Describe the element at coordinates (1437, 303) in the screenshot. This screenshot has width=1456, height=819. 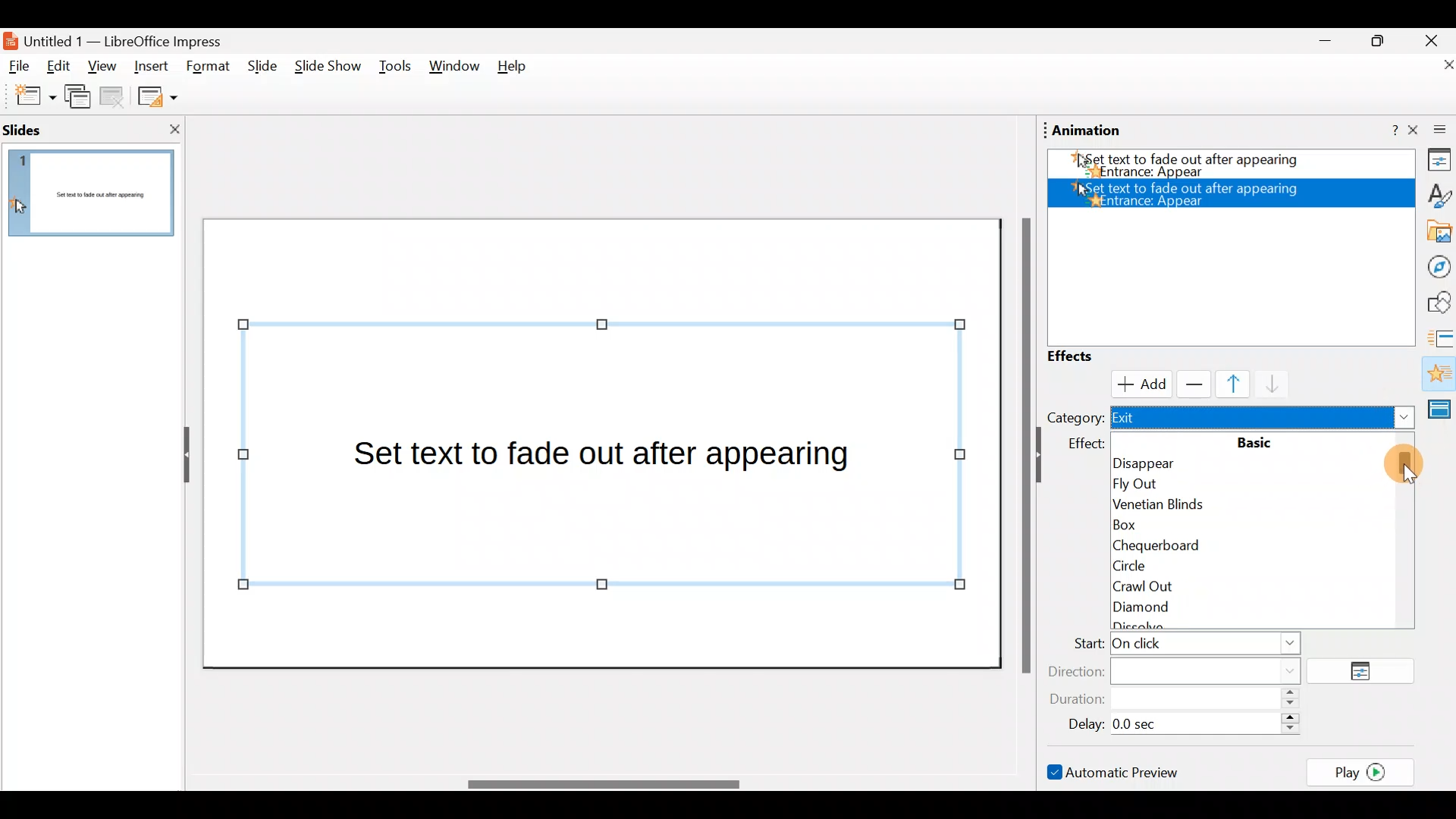
I see `Shapes` at that location.